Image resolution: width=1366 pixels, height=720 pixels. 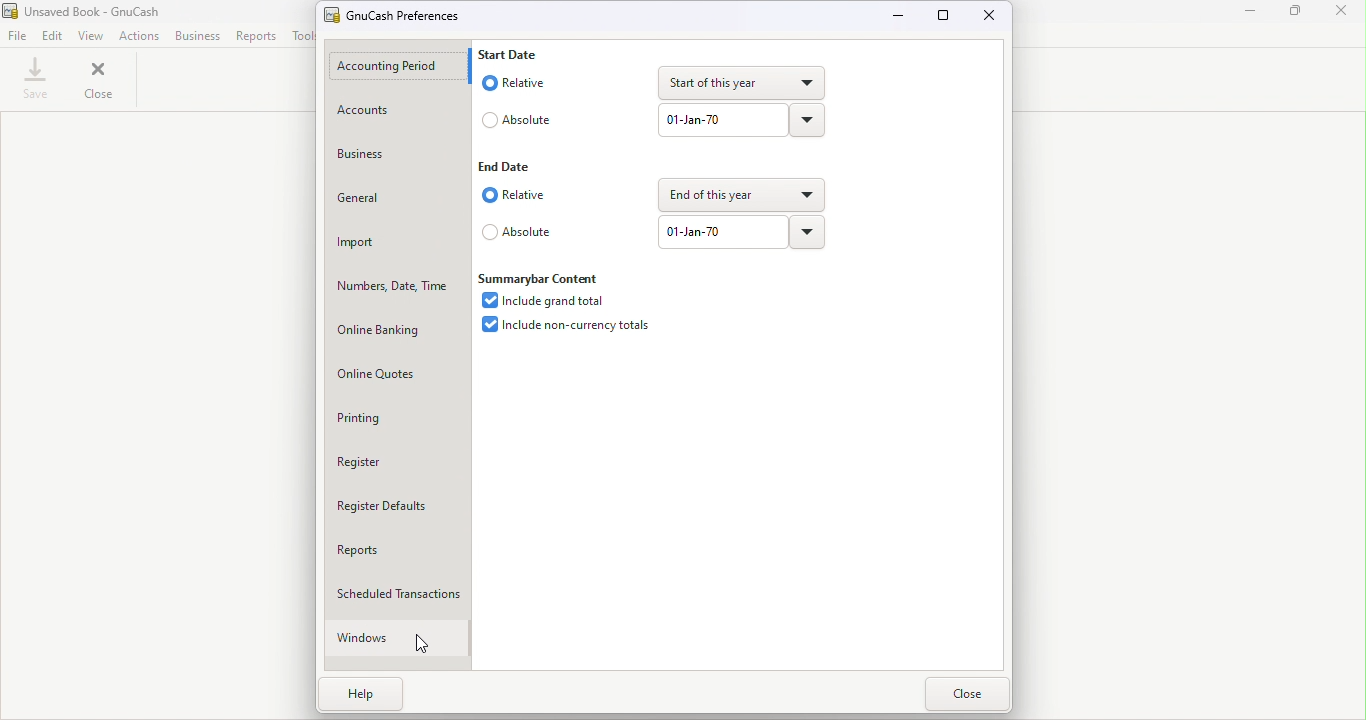 What do you see at coordinates (965, 695) in the screenshot?
I see `Close` at bounding box center [965, 695].